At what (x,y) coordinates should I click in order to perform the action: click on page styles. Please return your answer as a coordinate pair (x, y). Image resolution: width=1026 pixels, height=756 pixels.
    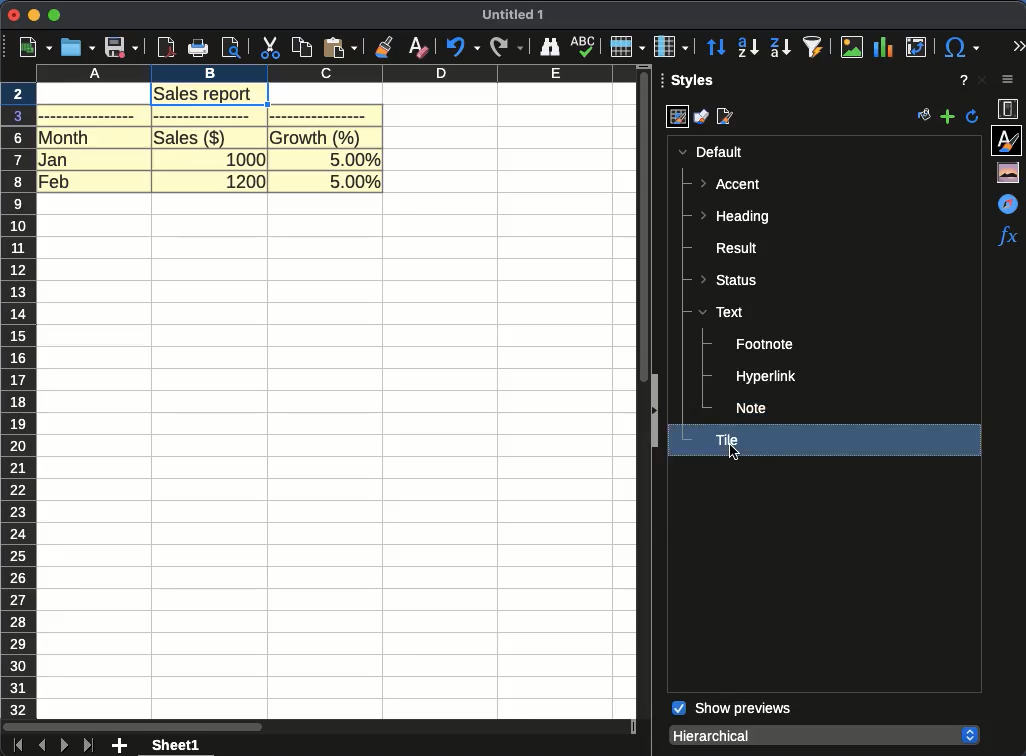
    Looking at the image, I should click on (728, 117).